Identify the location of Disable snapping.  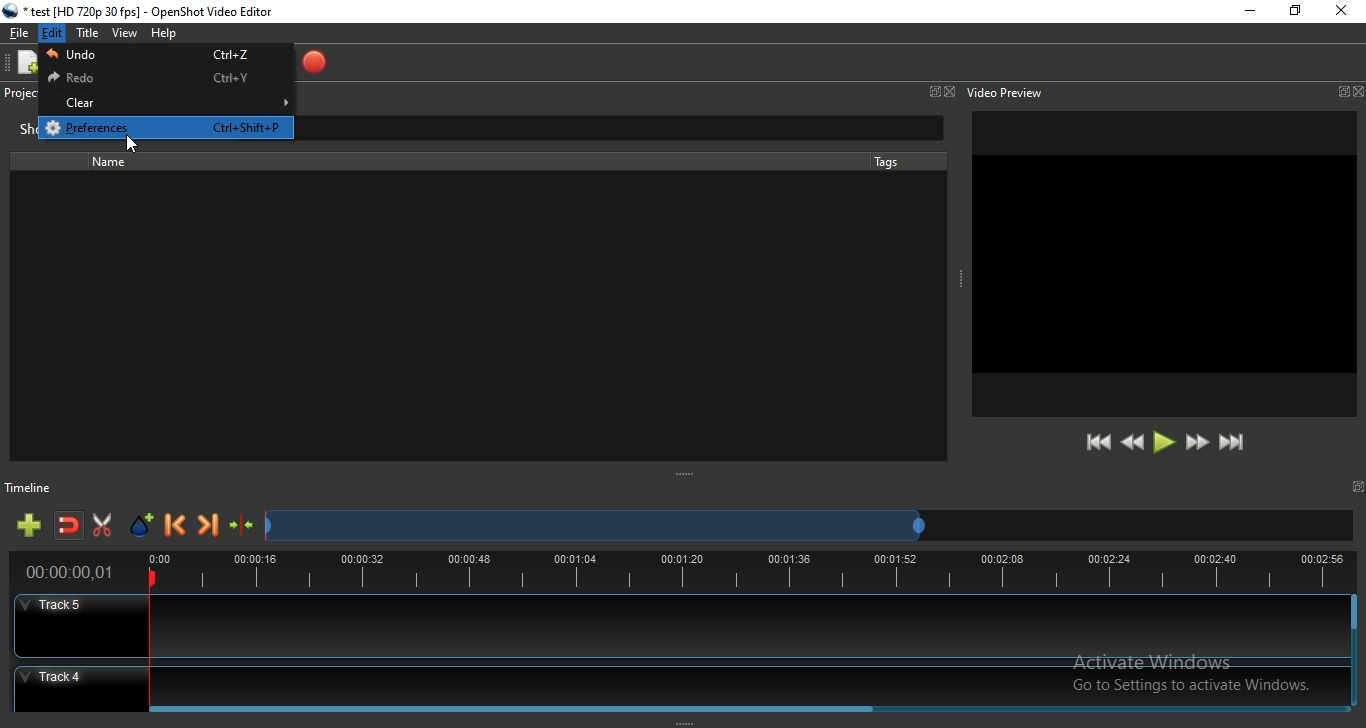
(69, 527).